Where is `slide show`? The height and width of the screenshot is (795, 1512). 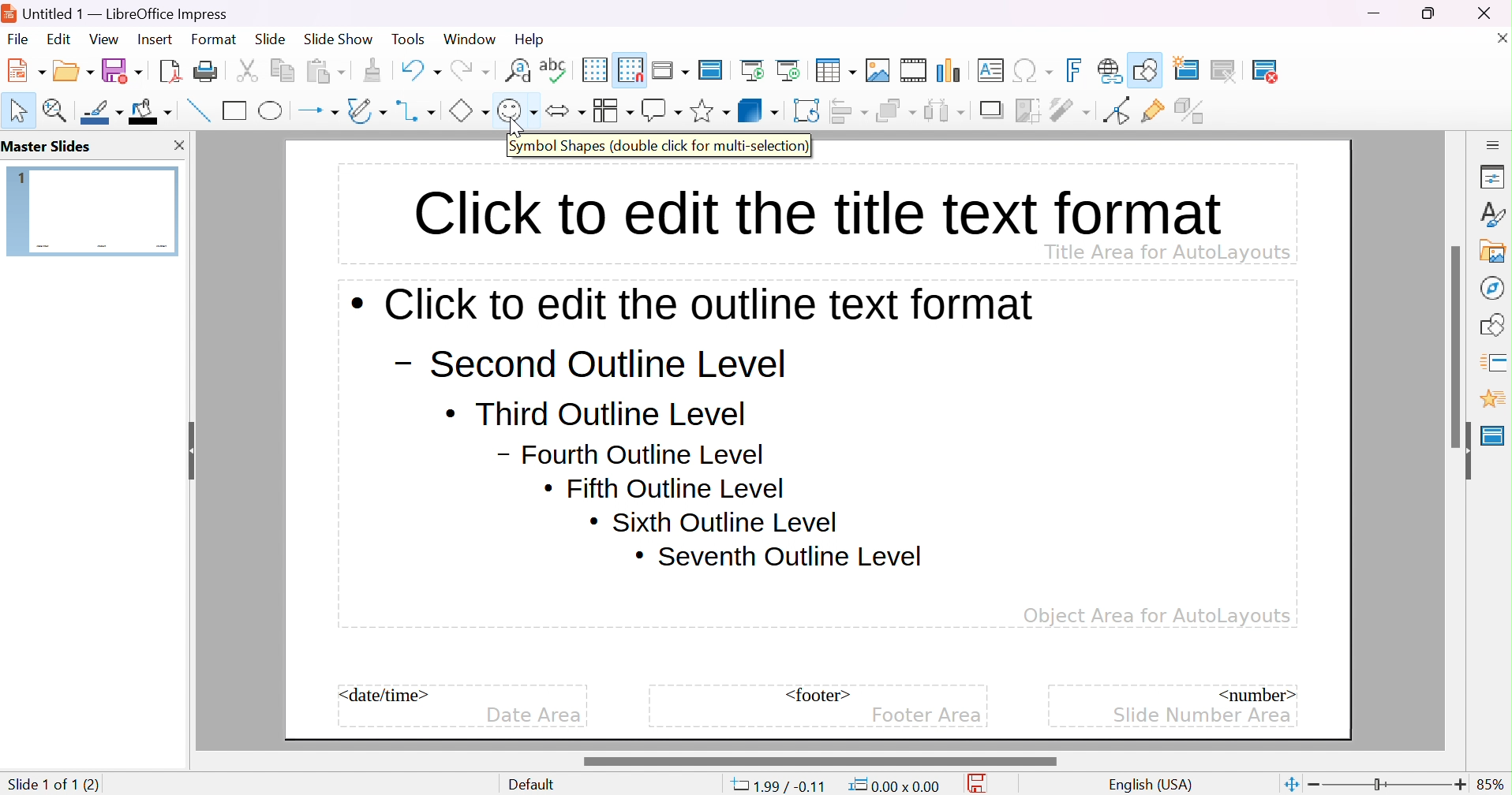 slide show is located at coordinates (339, 37).